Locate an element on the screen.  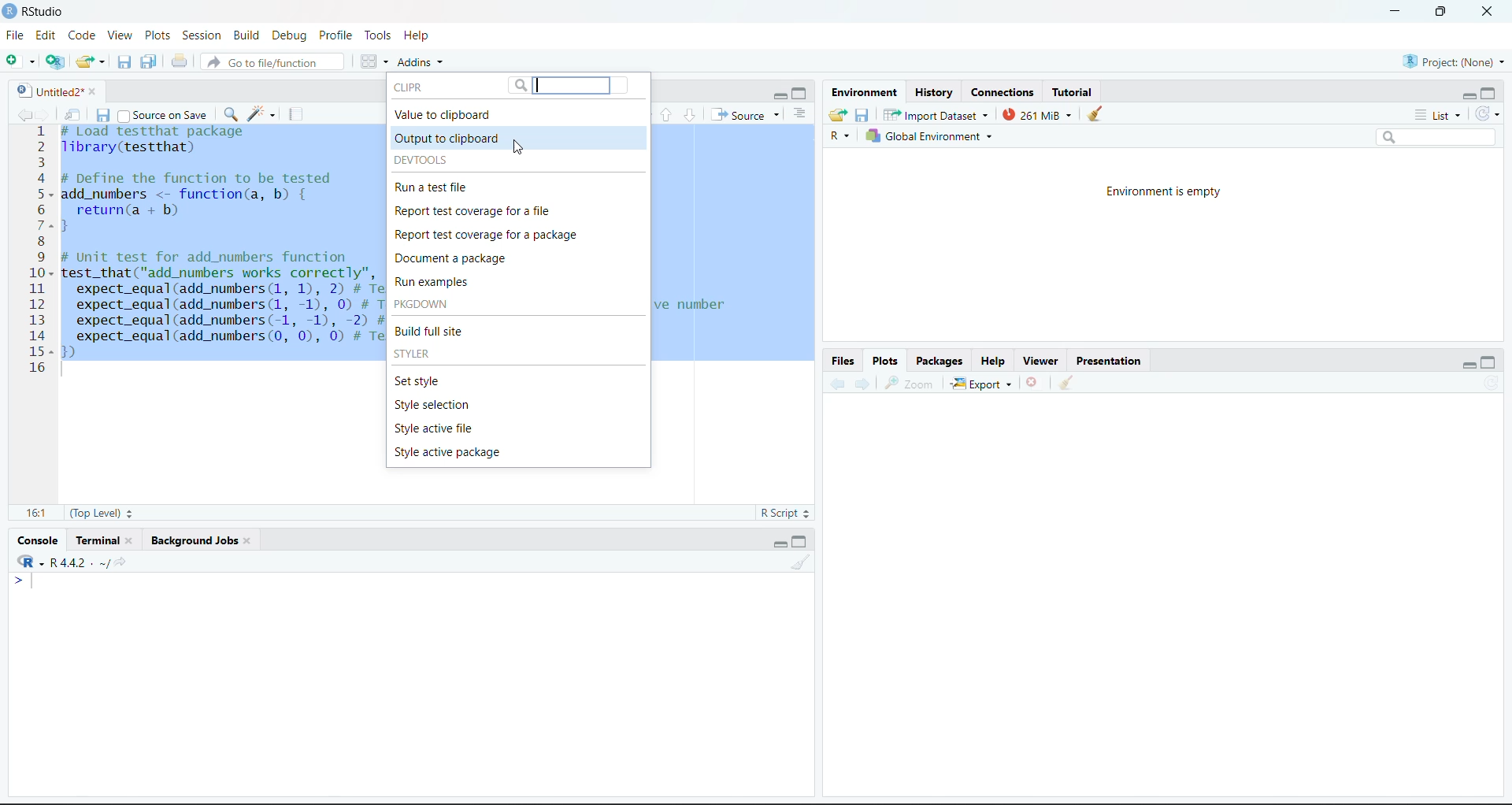
Run a test file is located at coordinates (428, 187).